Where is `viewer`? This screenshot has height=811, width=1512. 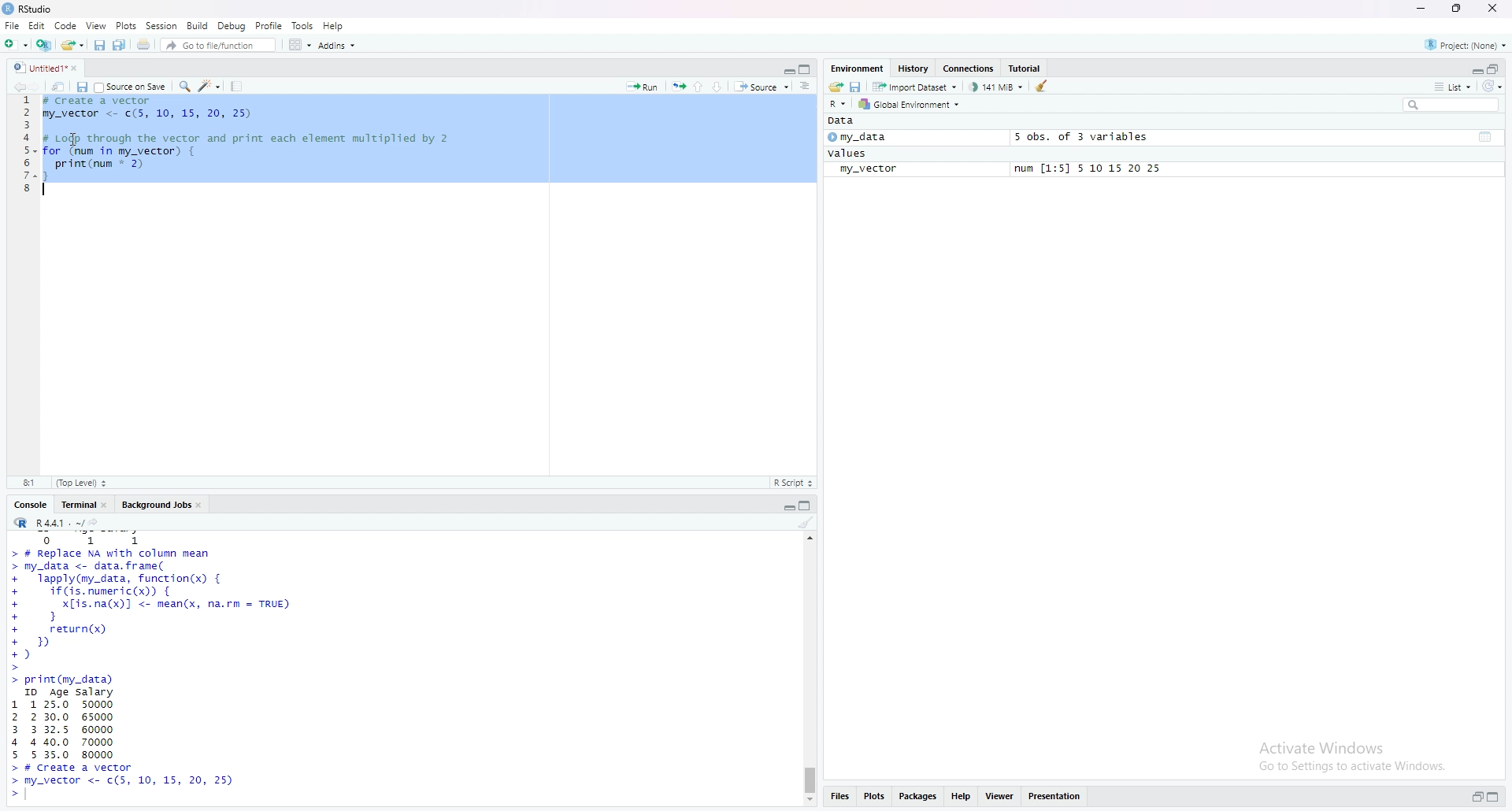
viewer is located at coordinates (1001, 794).